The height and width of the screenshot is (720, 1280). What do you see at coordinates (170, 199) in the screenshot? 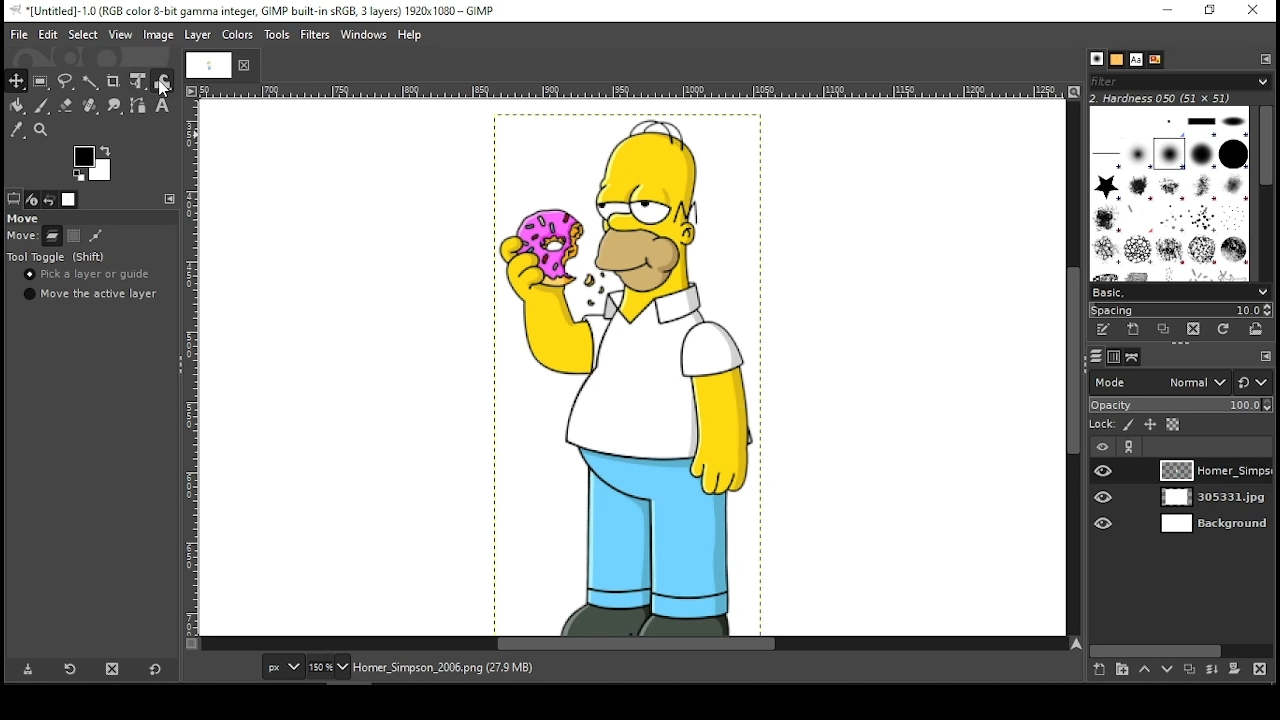
I see `edit toolbar` at bounding box center [170, 199].